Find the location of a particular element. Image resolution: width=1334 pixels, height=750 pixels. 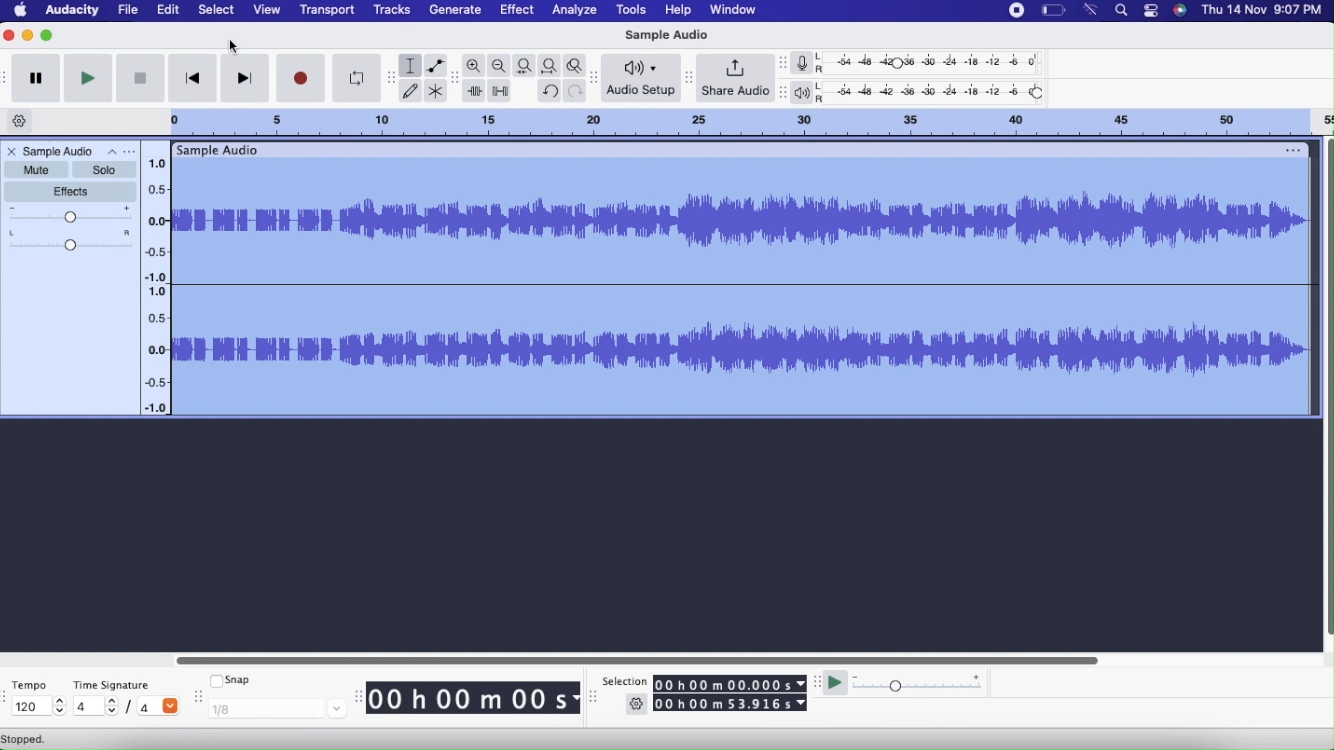

Wifi signal is located at coordinates (1093, 11).